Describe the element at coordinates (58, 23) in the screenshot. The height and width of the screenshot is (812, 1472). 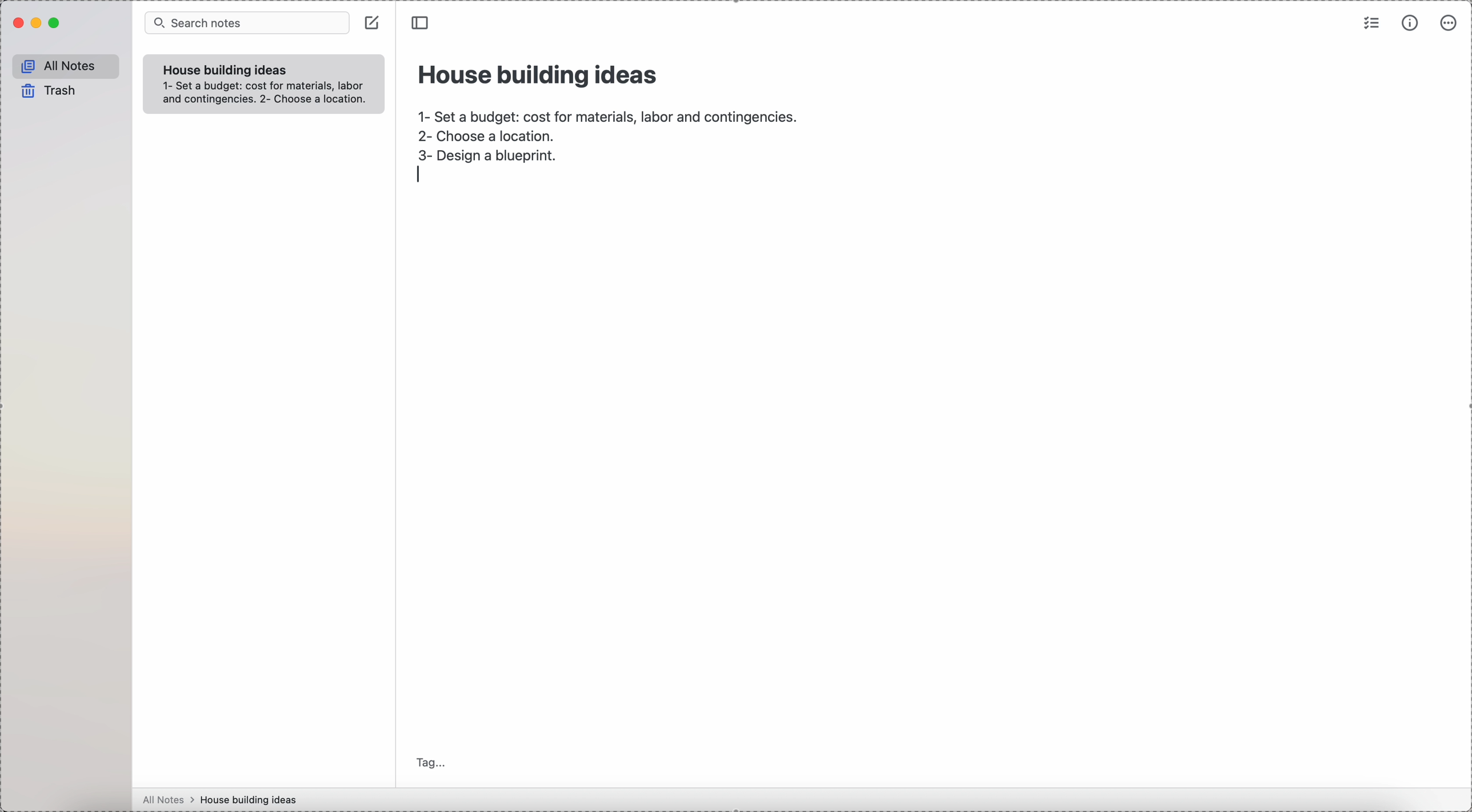
I see `maximize Simplenote` at that location.